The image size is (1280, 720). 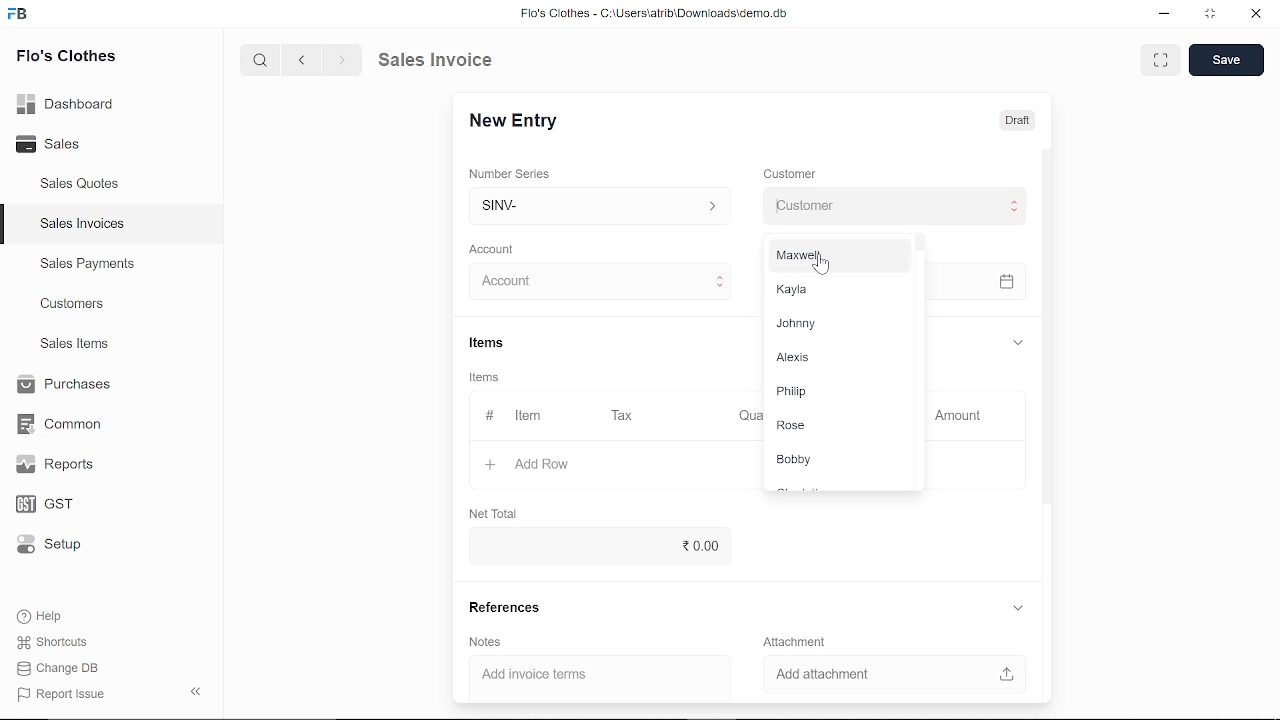 What do you see at coordinates (42, 616) in the screenshot?
I see `Help` at bounding box center [42, 616].